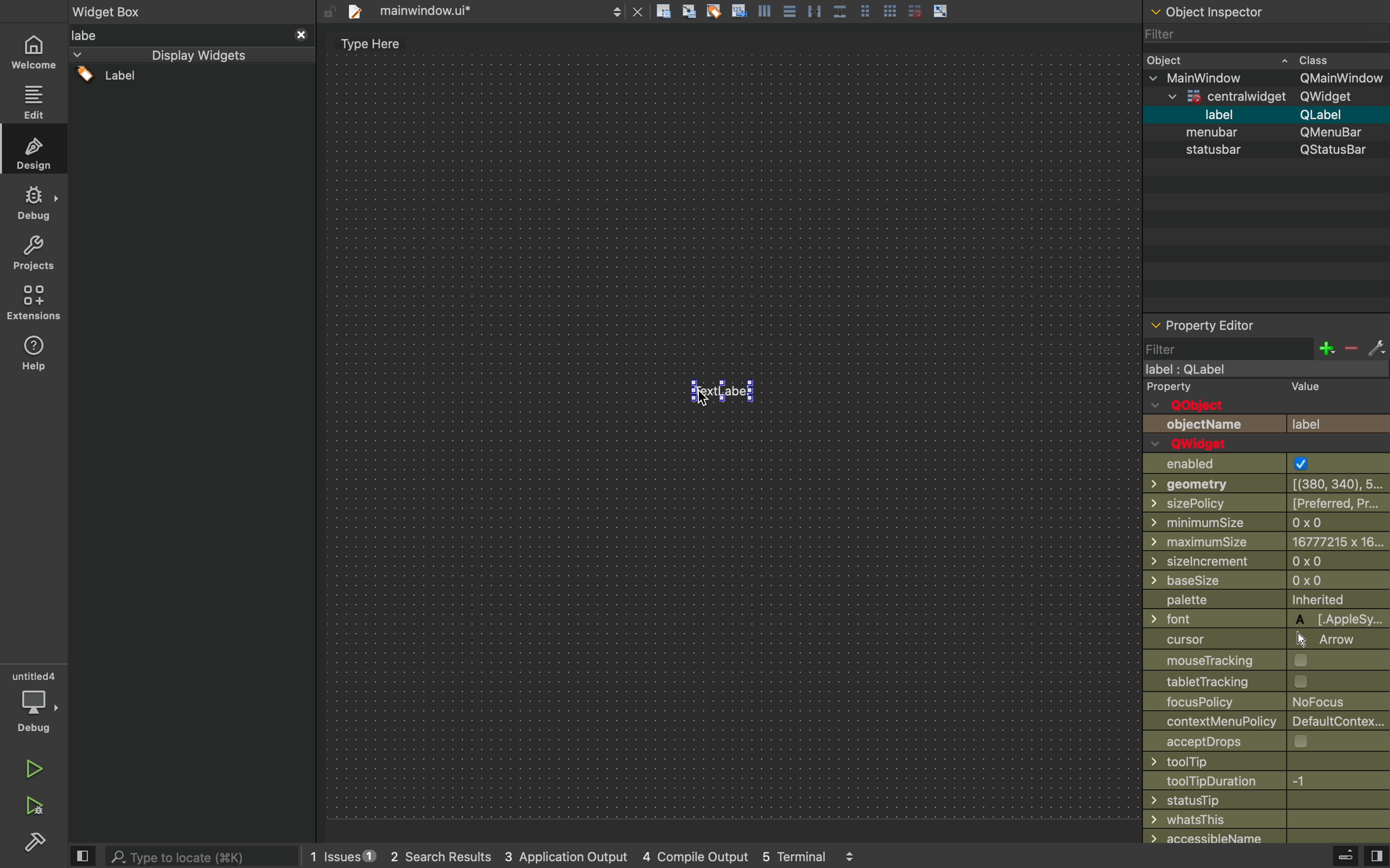 The width and height of the screenshot is (1390, 868). What do you see at coordinates (729, 428) in the screenshot?
I see `` at bounding box center [729, 428].